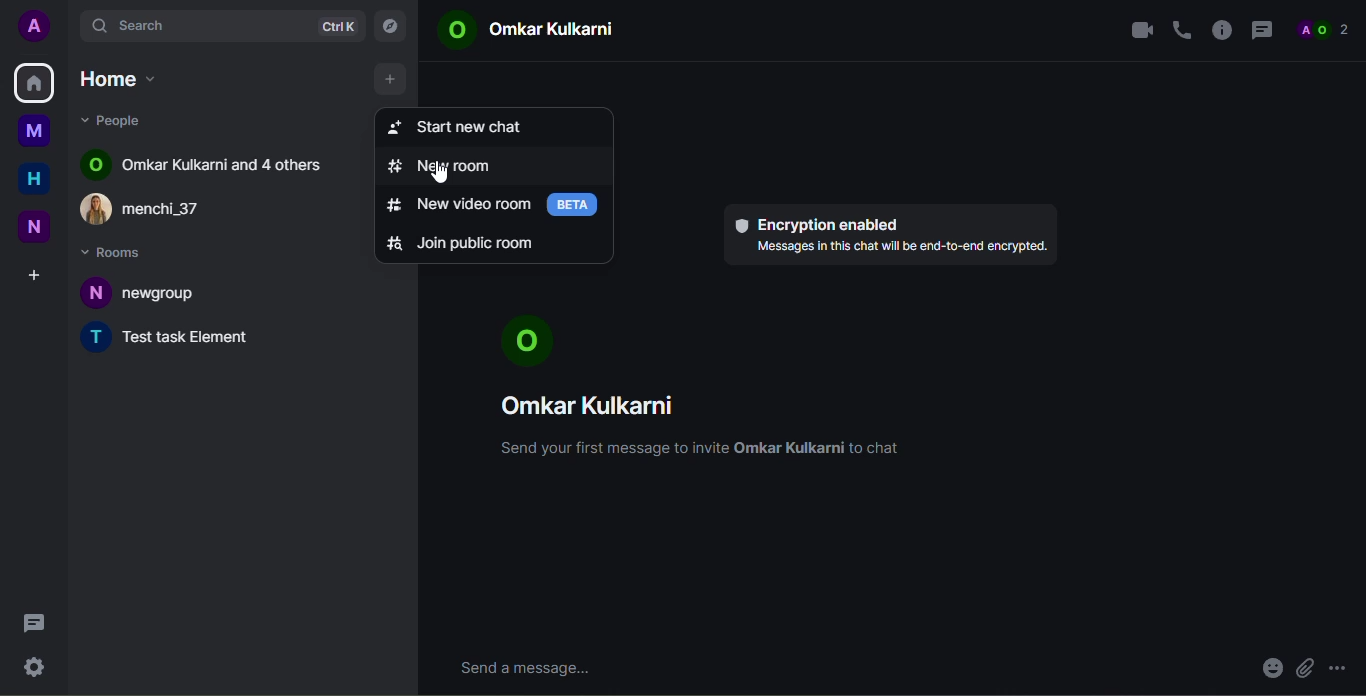 This screenshot has height=696, width=1366. Describe the element at coordinates (115, 251) in the screenshot. I see `rooms` at that location.